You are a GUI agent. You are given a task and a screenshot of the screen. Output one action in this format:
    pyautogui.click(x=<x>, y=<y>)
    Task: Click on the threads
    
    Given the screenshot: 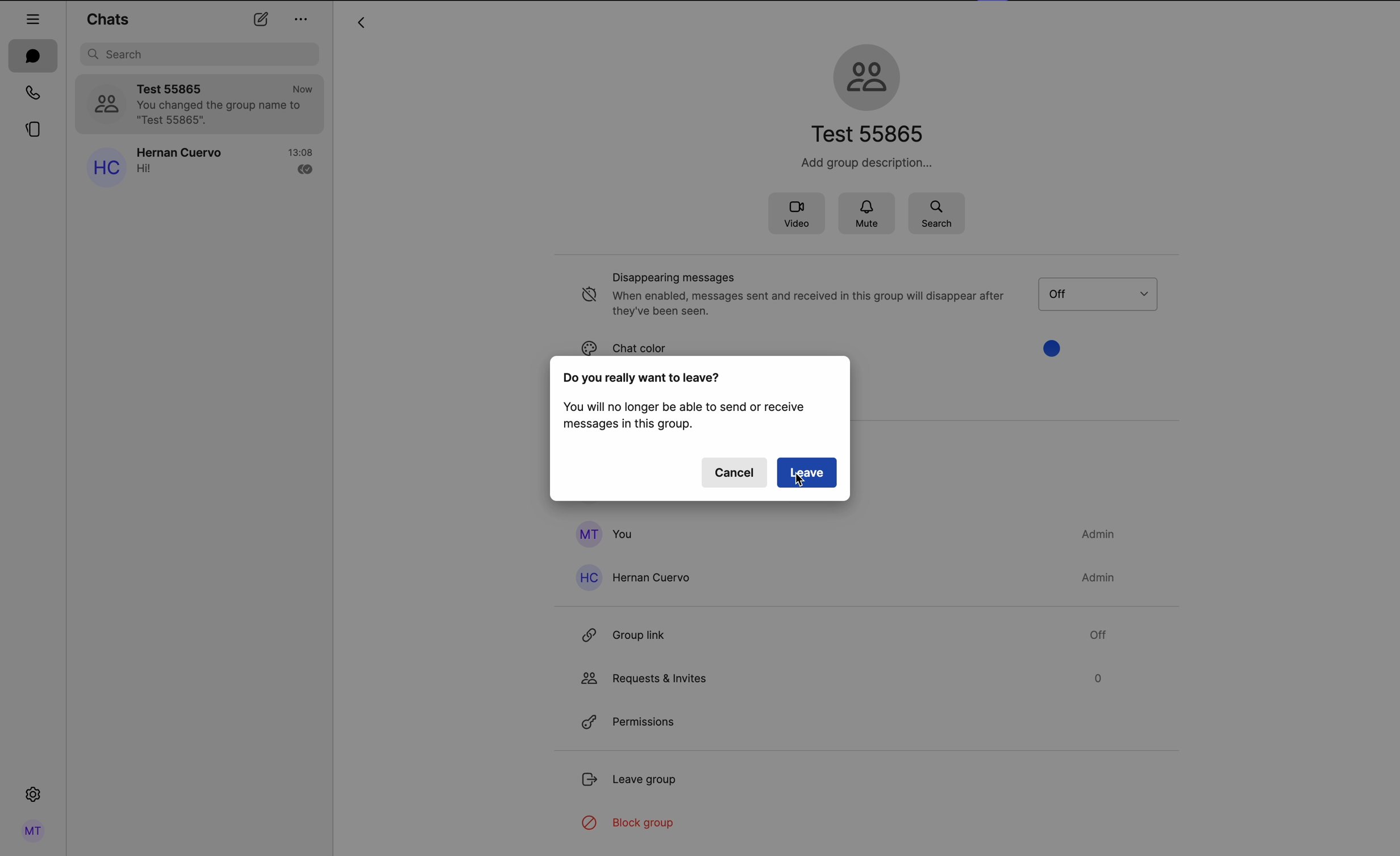 What is the action you would take?
    pyautogui.click(x=35, y=130)
    